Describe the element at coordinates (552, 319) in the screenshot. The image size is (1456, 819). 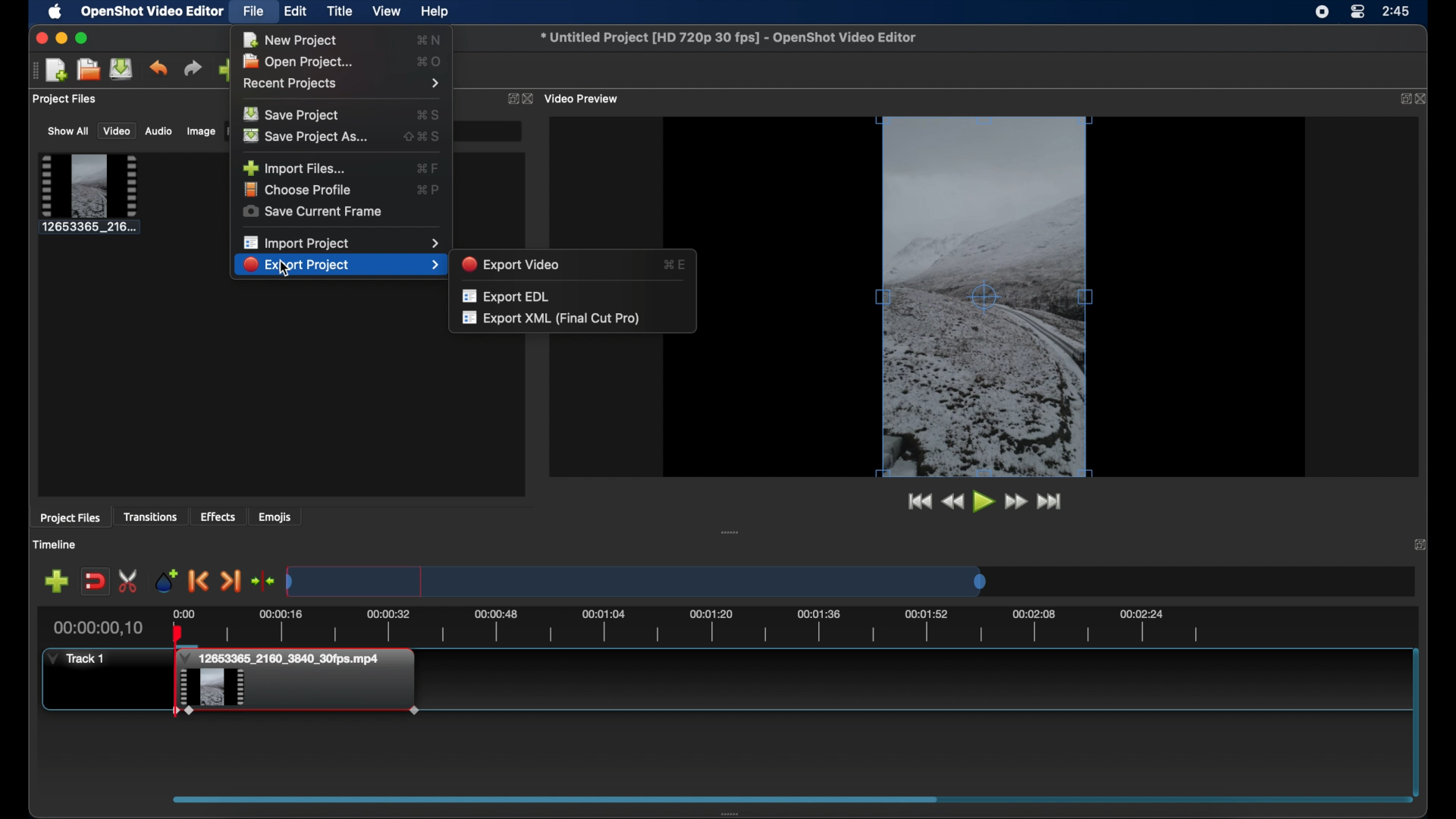
I see `export xml` at that location.